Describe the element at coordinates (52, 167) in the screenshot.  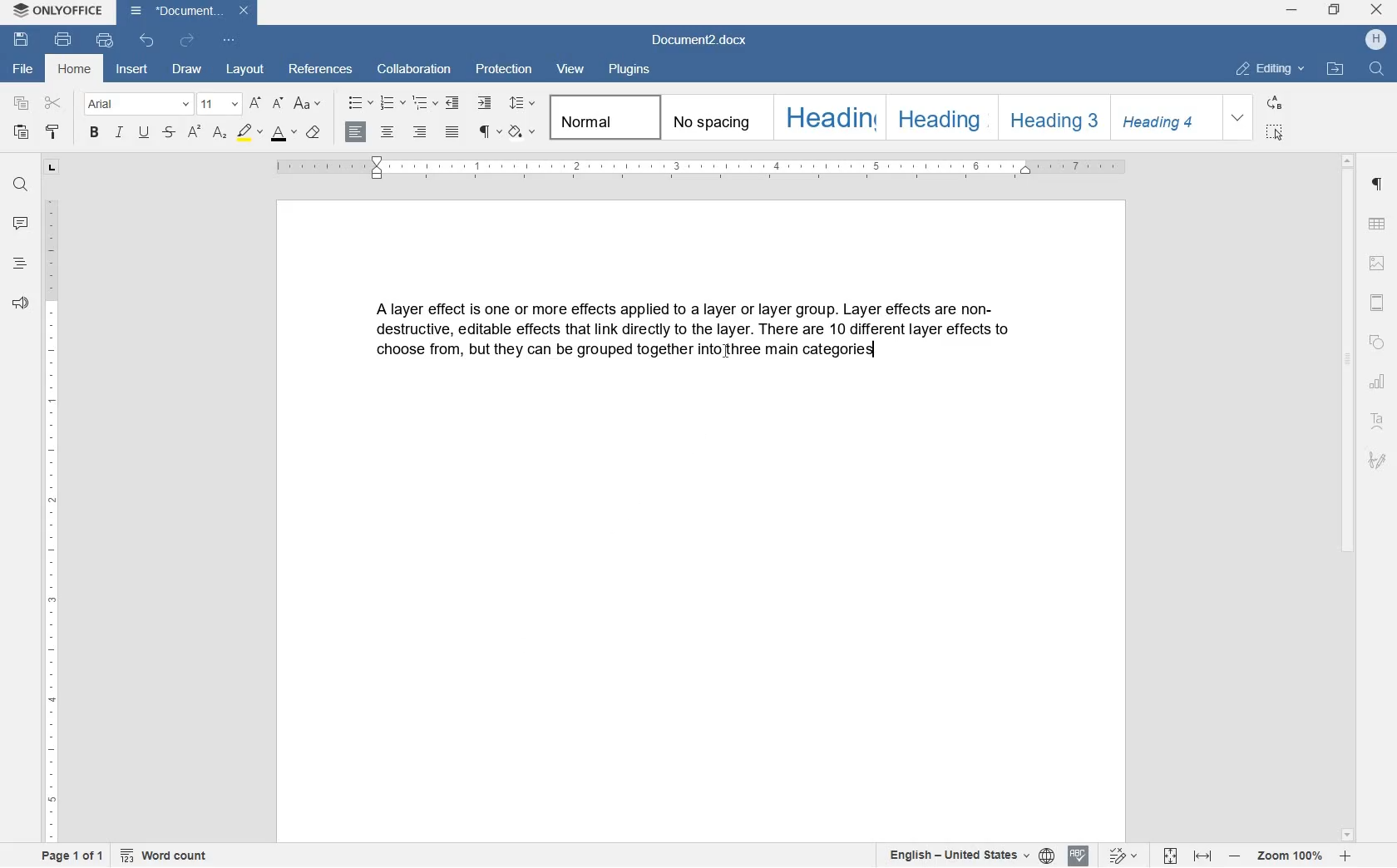
I see `tab` at that location.